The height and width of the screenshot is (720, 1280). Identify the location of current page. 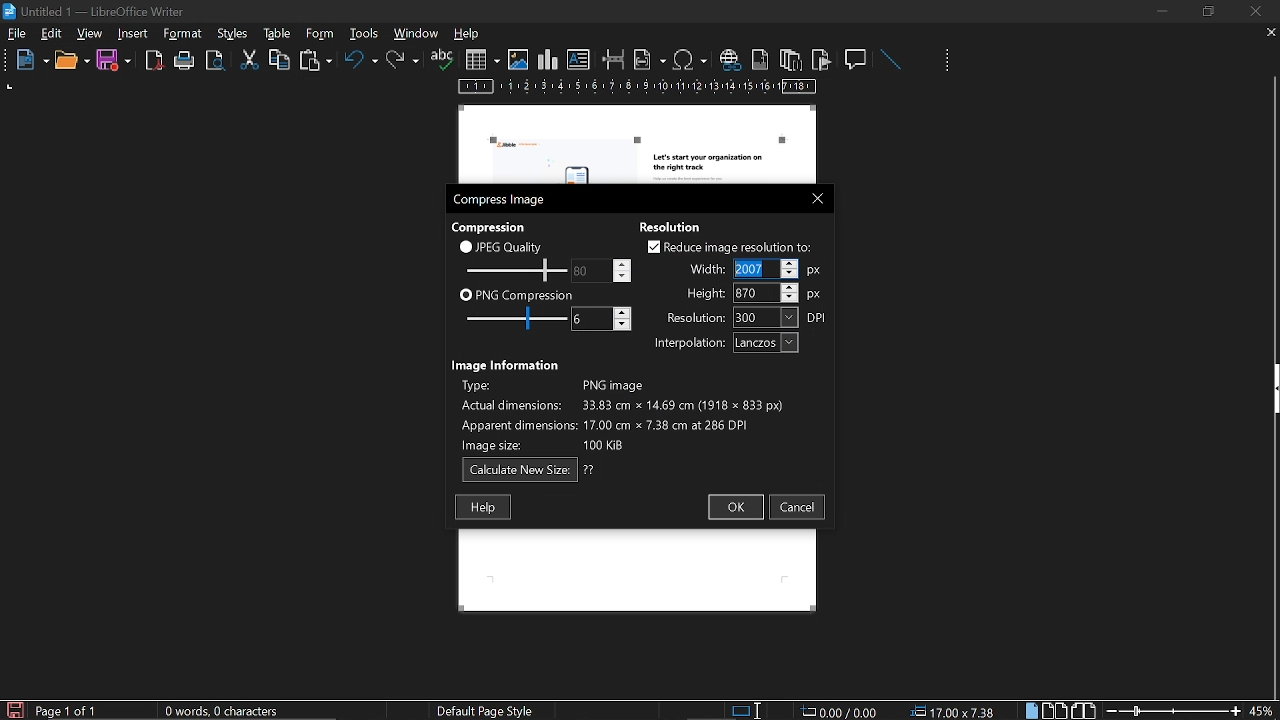
(67, 711).